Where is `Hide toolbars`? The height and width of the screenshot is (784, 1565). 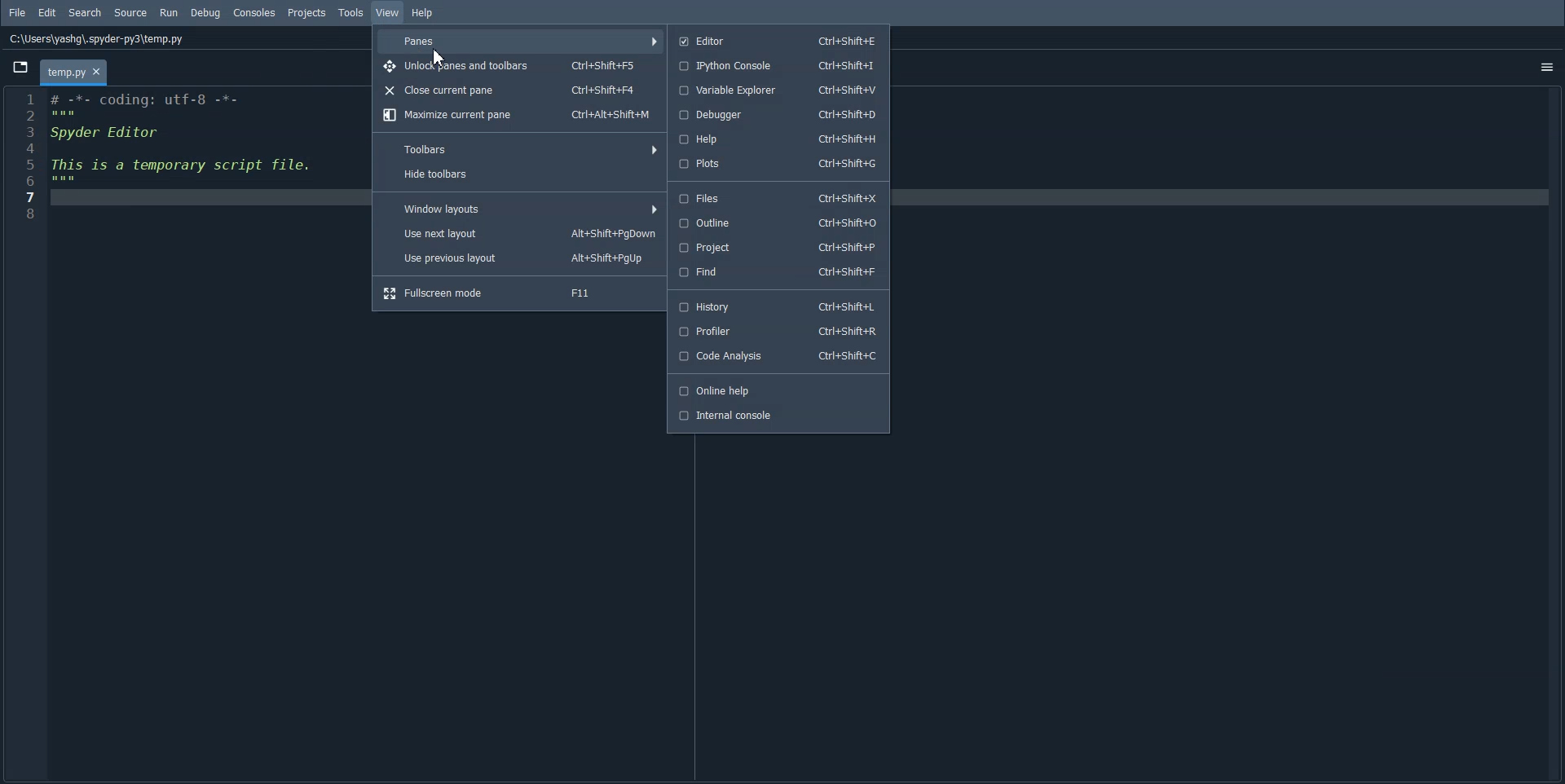
Hide toolbars is located at coordinates (521, 174).